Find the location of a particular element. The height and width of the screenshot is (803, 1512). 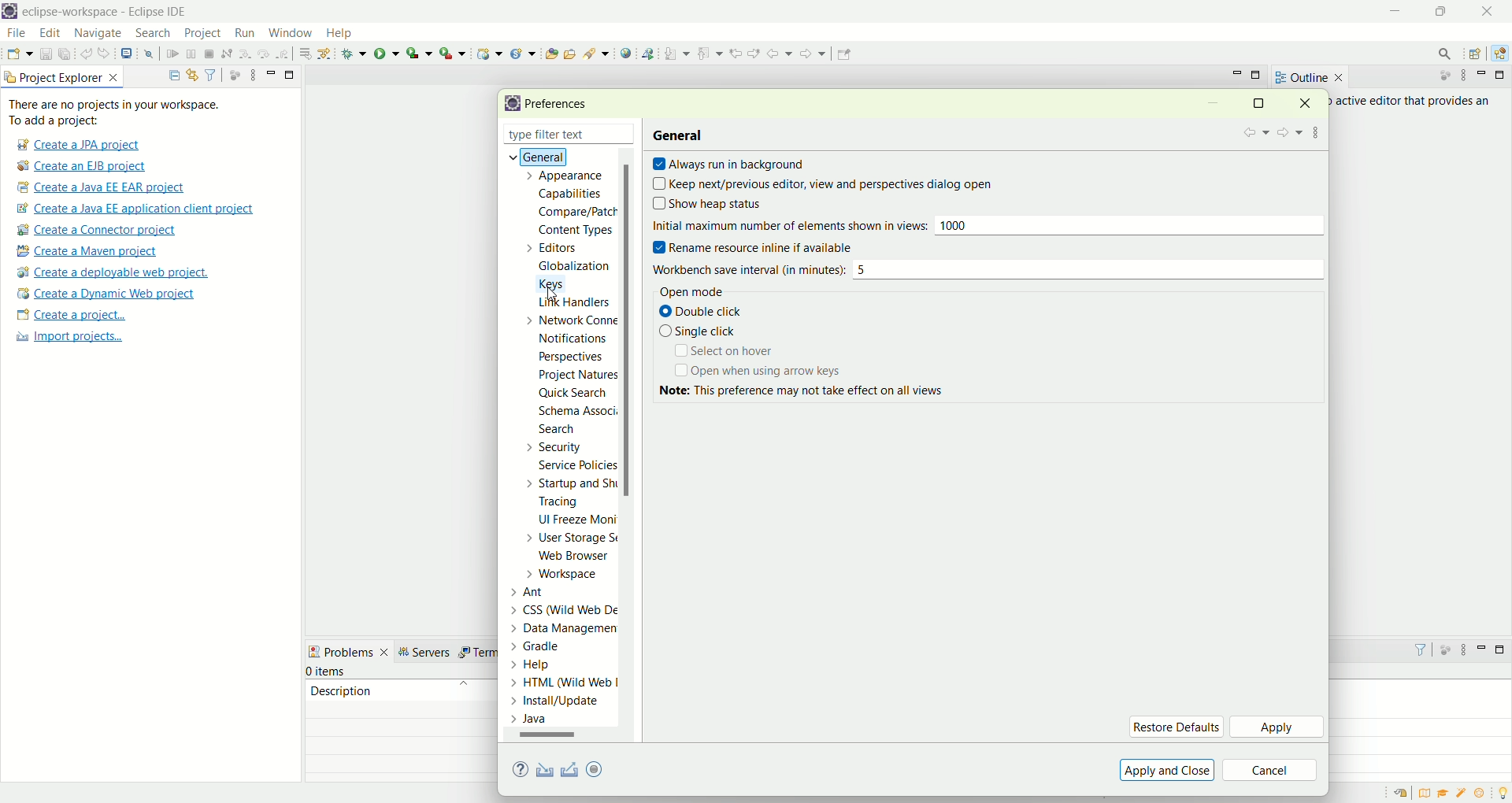

minimize is located at coordinates (1482, 647).